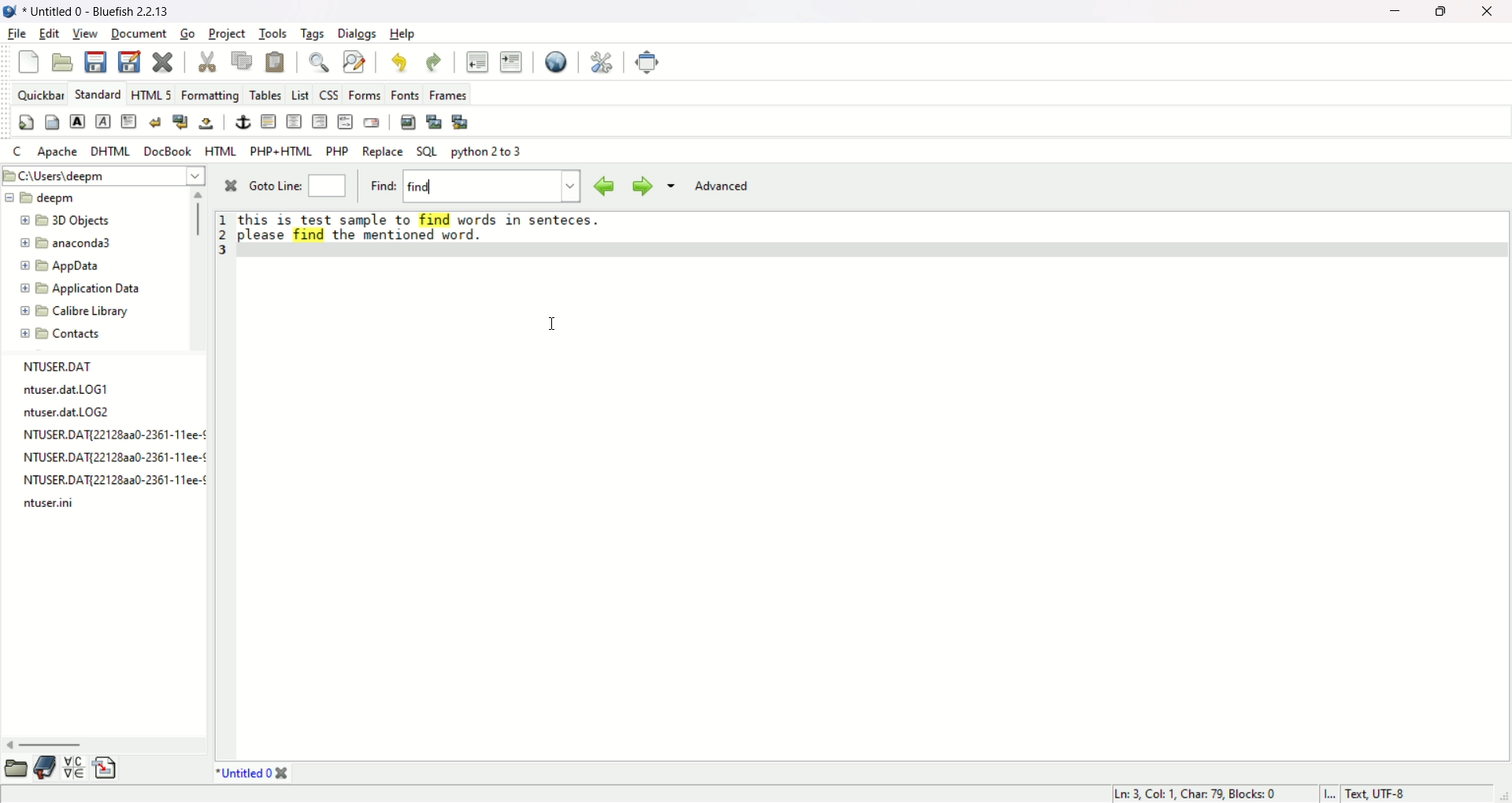  What do you see at coordinates (1391, 13) in the screenshot?
I see `minimize` at bounding box center [1391, 13].